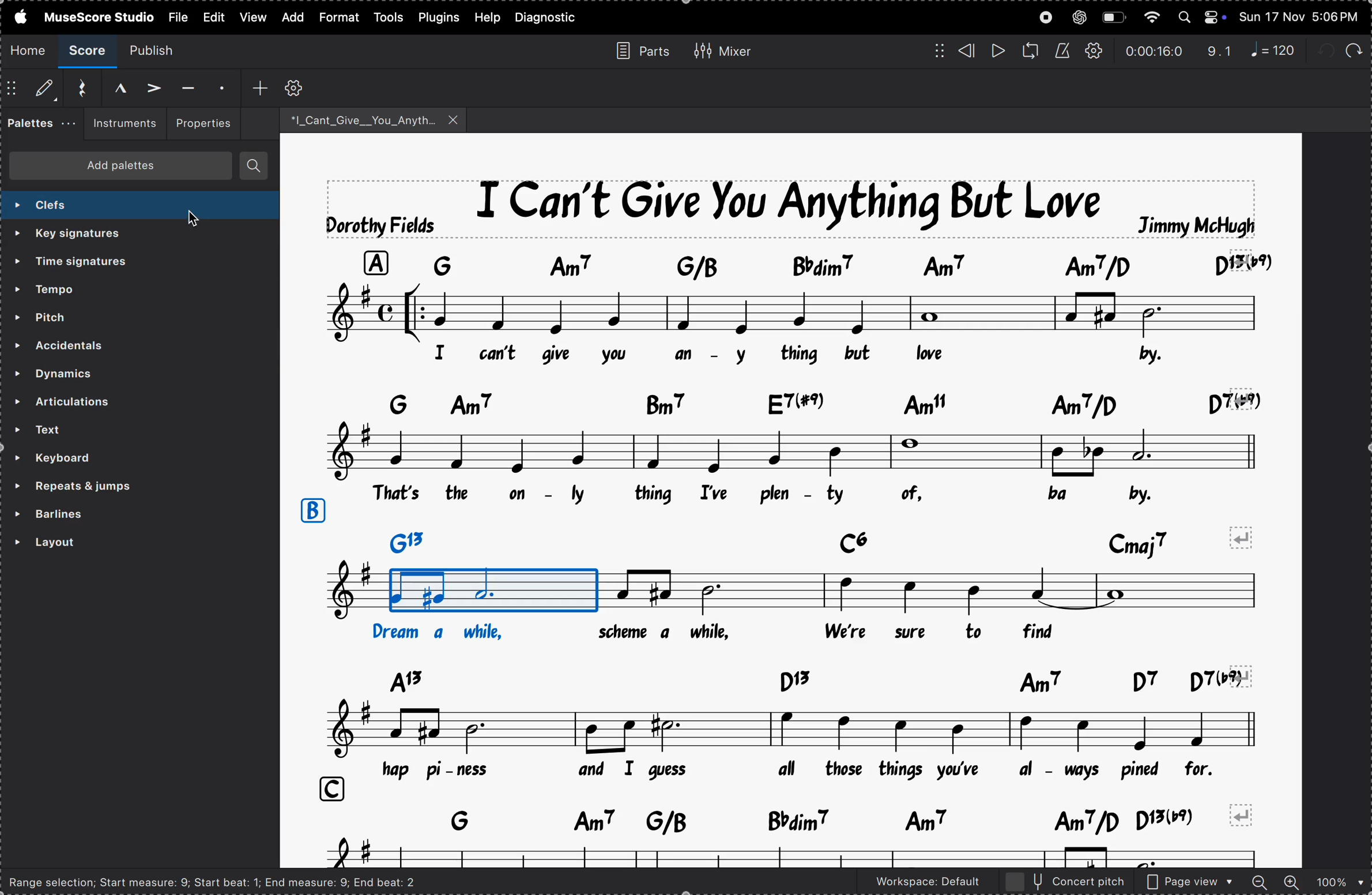 The width and height of the screenshot is (1372, 895). I want to click on daignostics, so click(550, 18).